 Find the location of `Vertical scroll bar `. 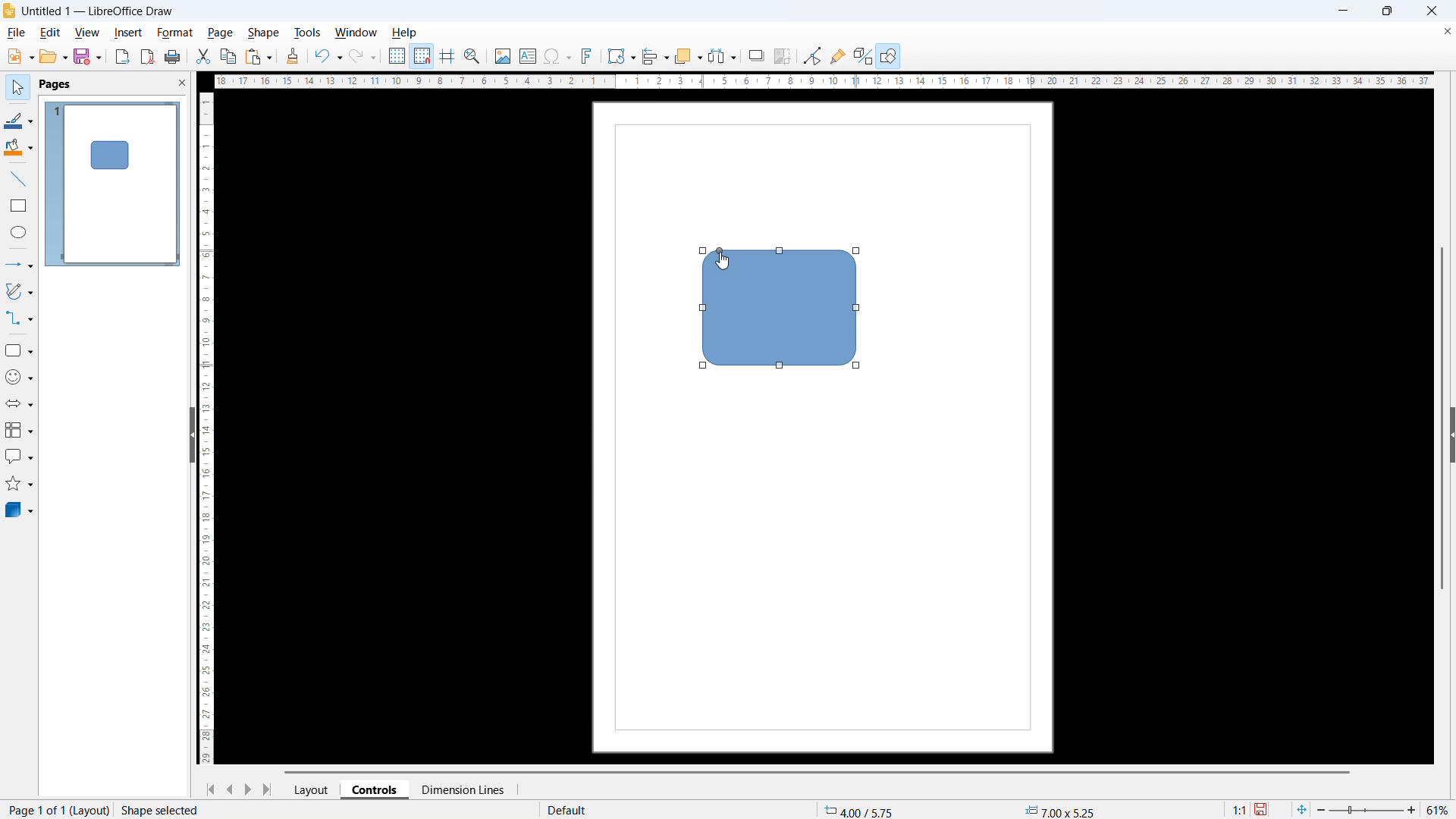

Vertical scroll bar  is located at coordinates (1442, 418).